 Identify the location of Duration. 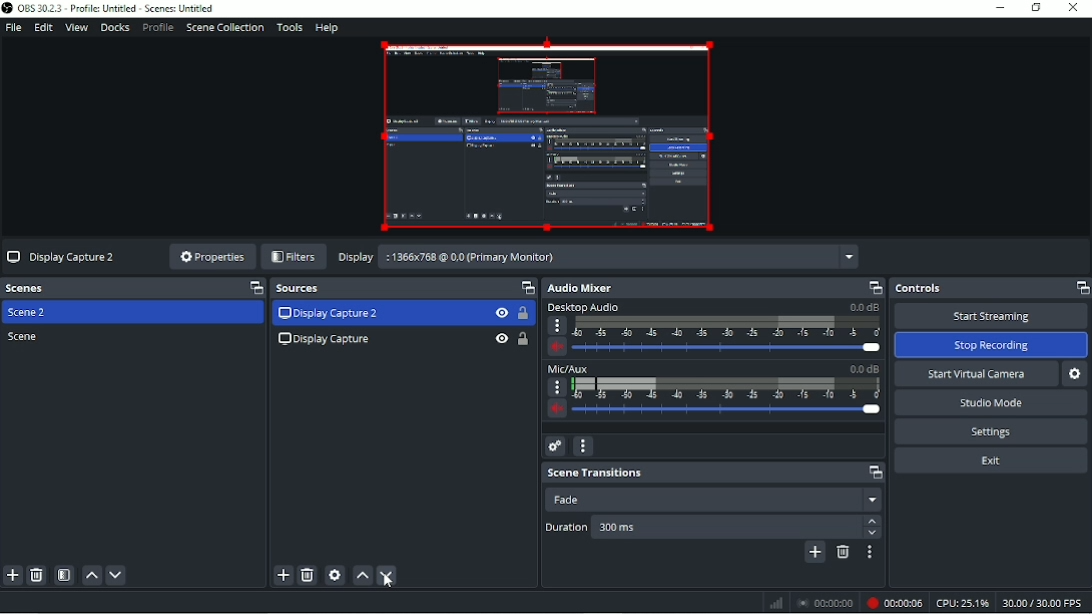
(566, 527).